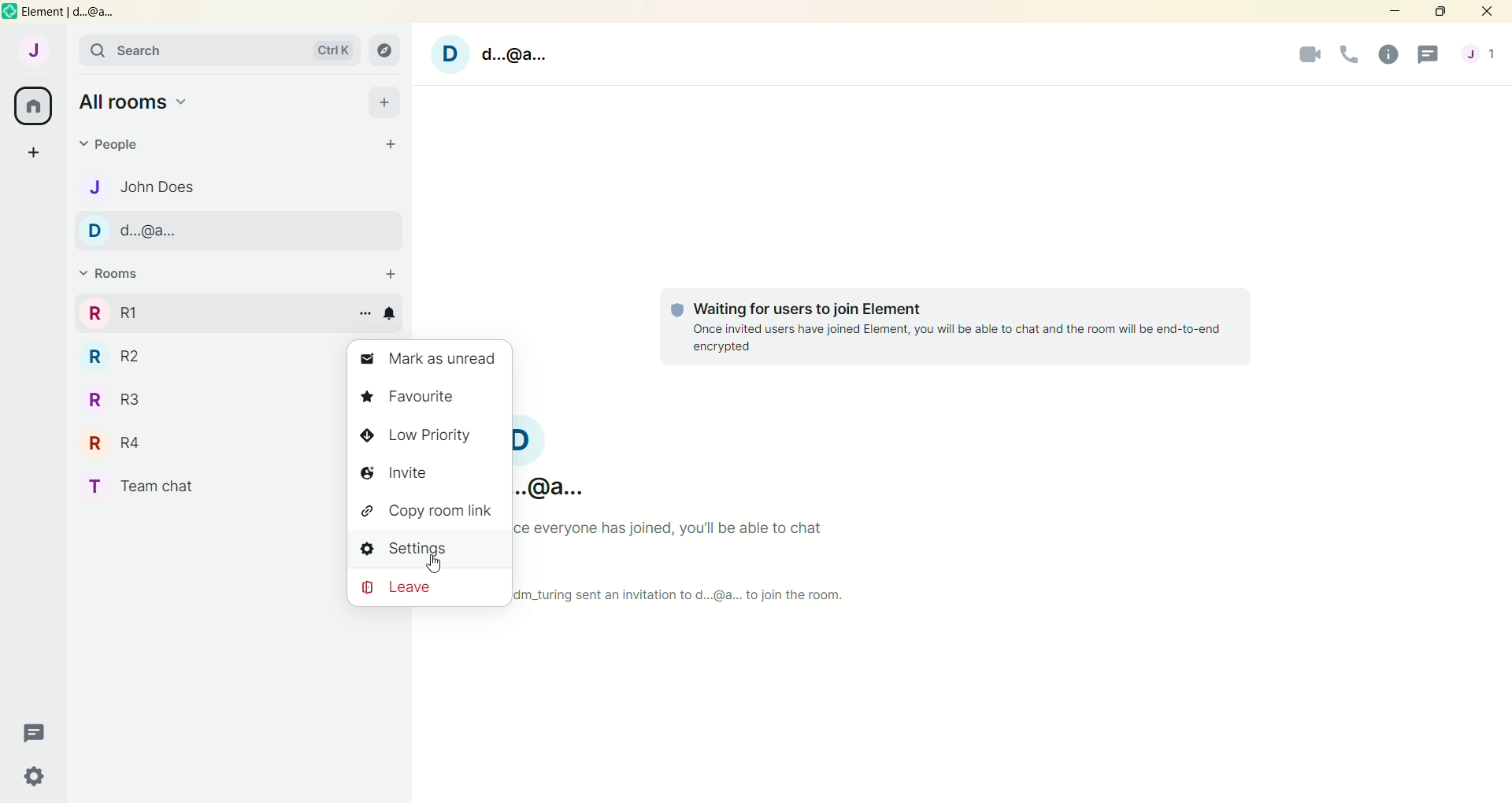 The height and width of the screenshot is (803, 1512). I want to click on T Team chat, so click(161, 487).